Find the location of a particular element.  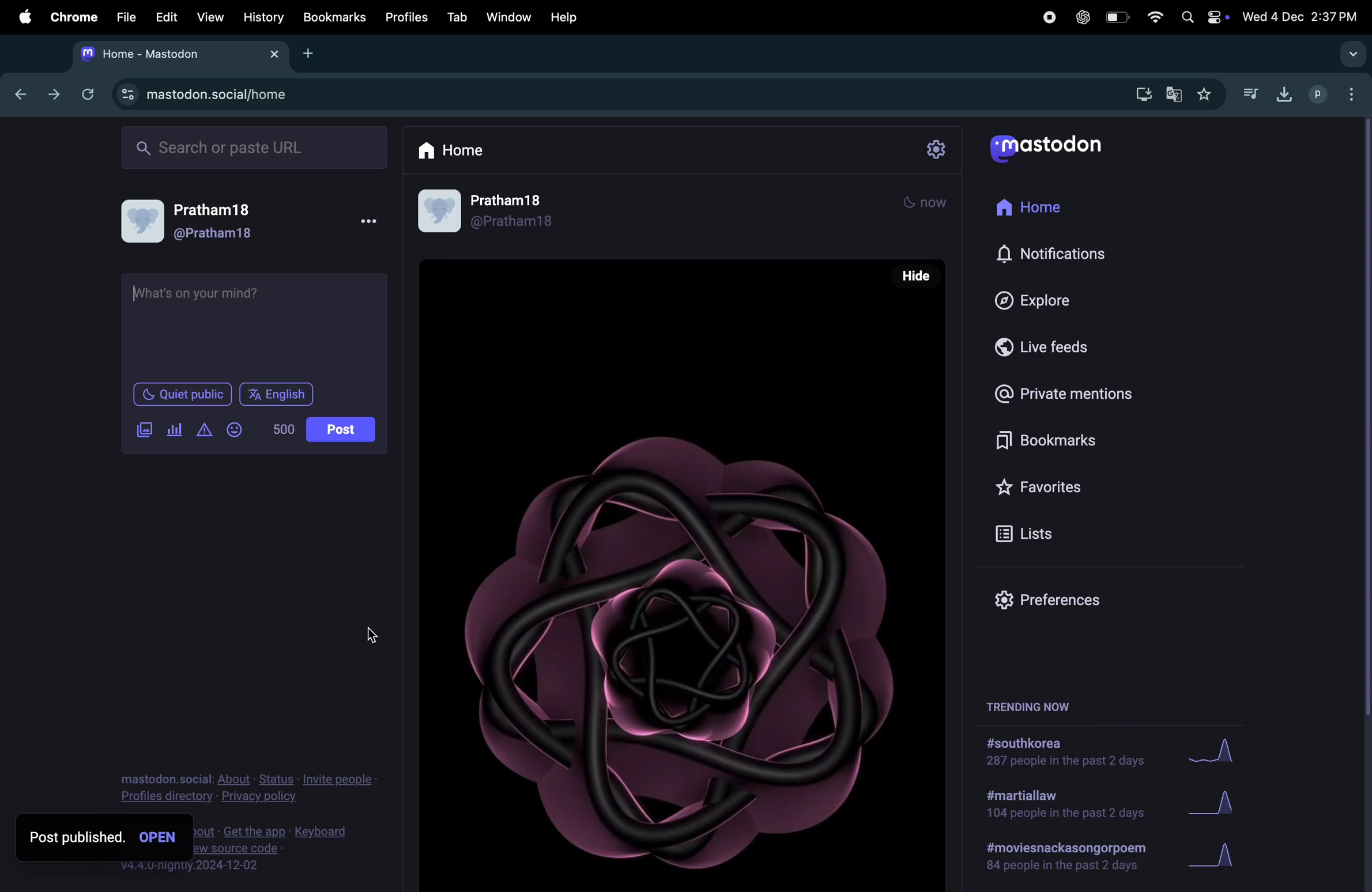

notifications is located at coordinates (1058, 255).